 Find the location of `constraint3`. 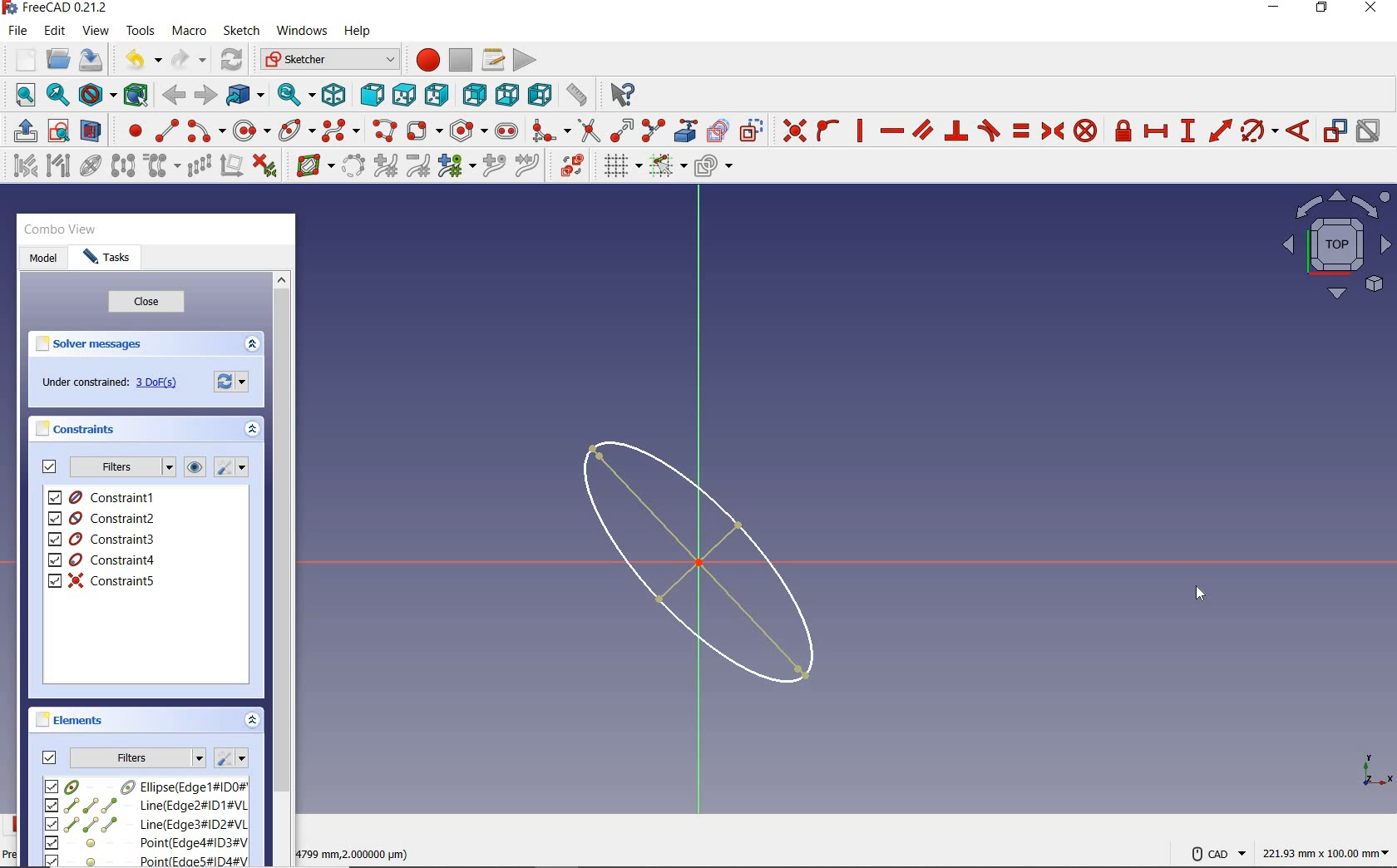

constraint3 is located at coordinates (103, 540).